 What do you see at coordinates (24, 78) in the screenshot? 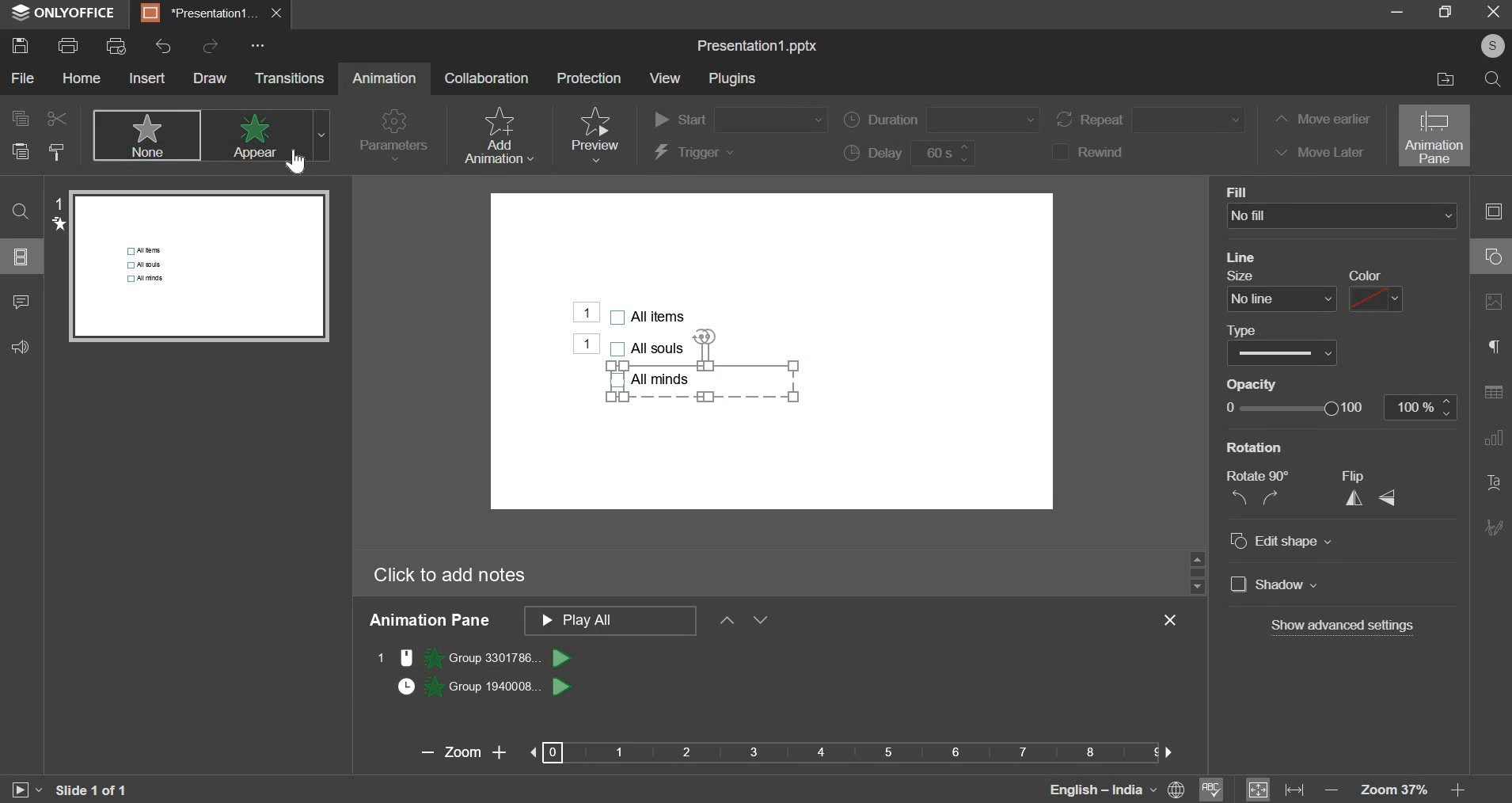
I see `file` at bounding box center [24, 78].